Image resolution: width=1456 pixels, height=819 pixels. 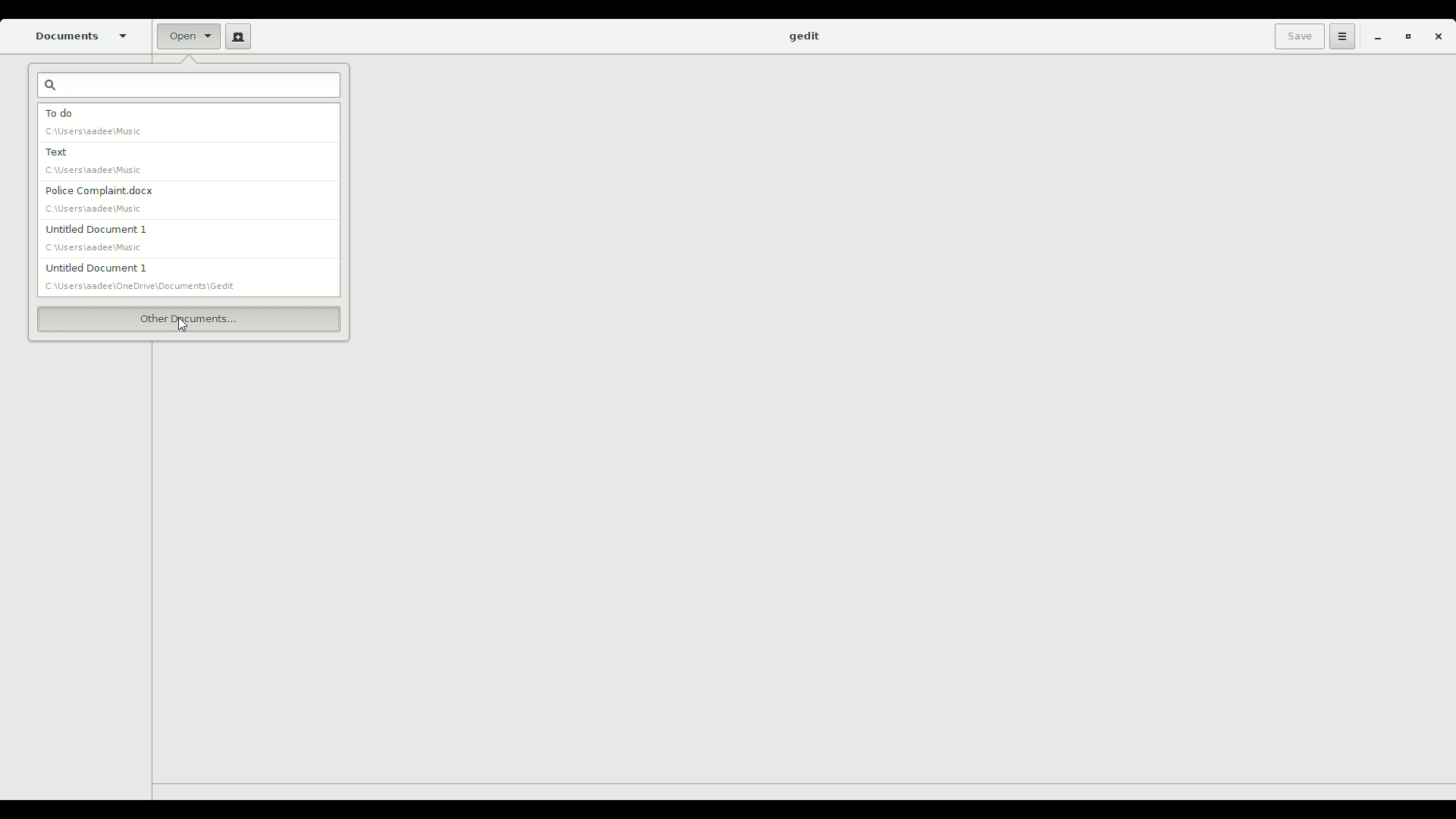 I want to click on Search bar, so click(x=190, y=87).